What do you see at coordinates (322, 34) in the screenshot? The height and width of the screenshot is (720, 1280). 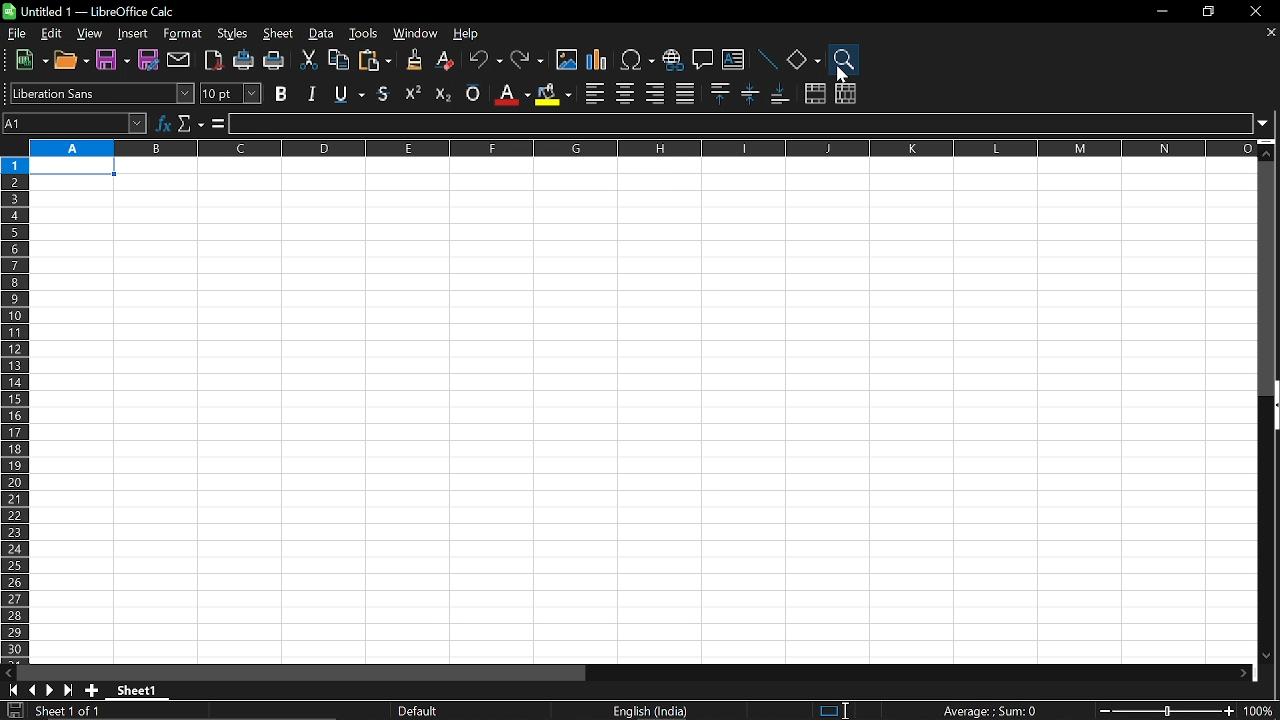 I see `data` at bounding box center [322, 34].